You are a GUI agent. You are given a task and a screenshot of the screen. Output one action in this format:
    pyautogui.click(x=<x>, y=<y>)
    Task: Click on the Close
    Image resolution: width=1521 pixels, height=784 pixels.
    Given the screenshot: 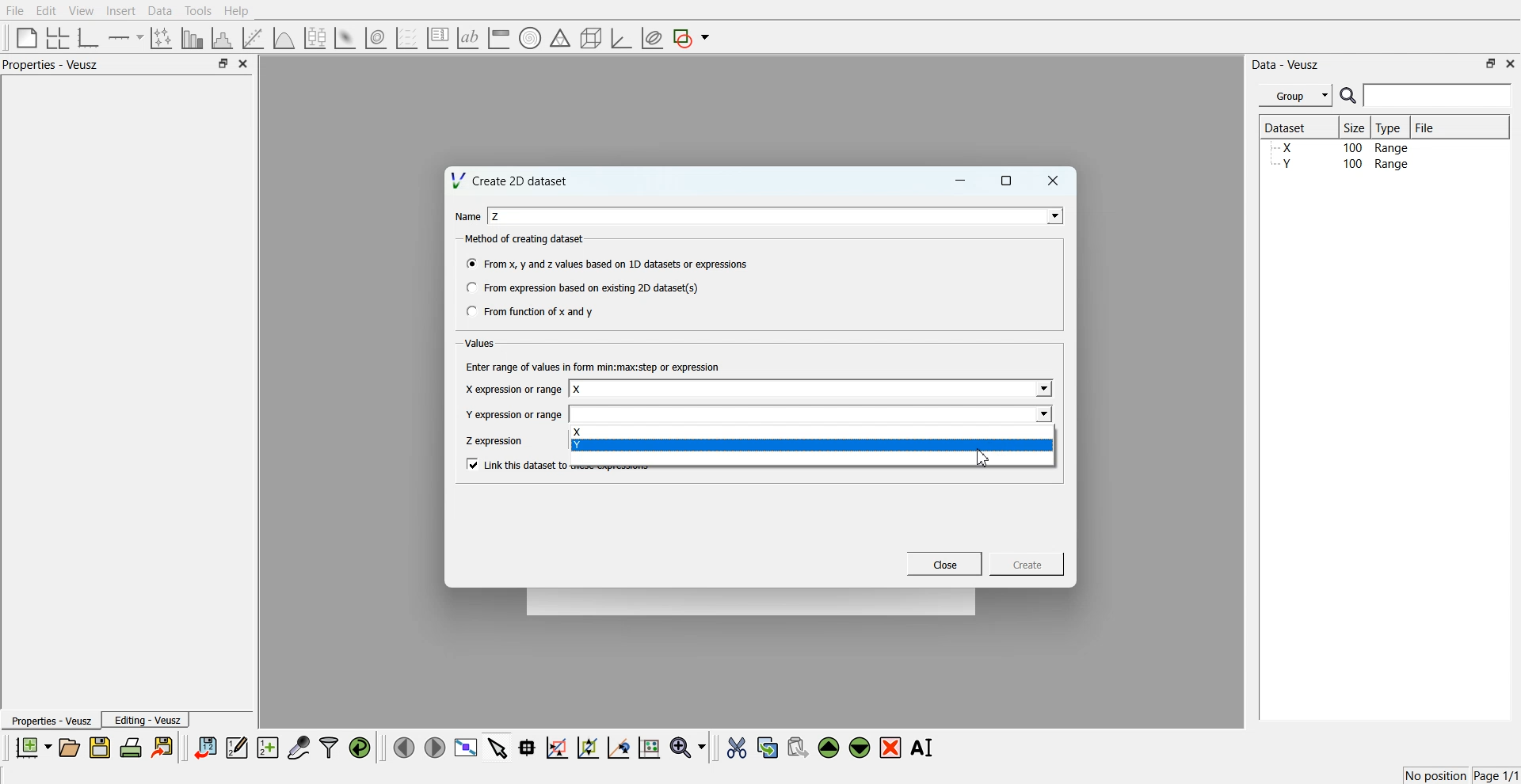 What is the action you would take?
    pyautogui.click(x=244, y=63)
    